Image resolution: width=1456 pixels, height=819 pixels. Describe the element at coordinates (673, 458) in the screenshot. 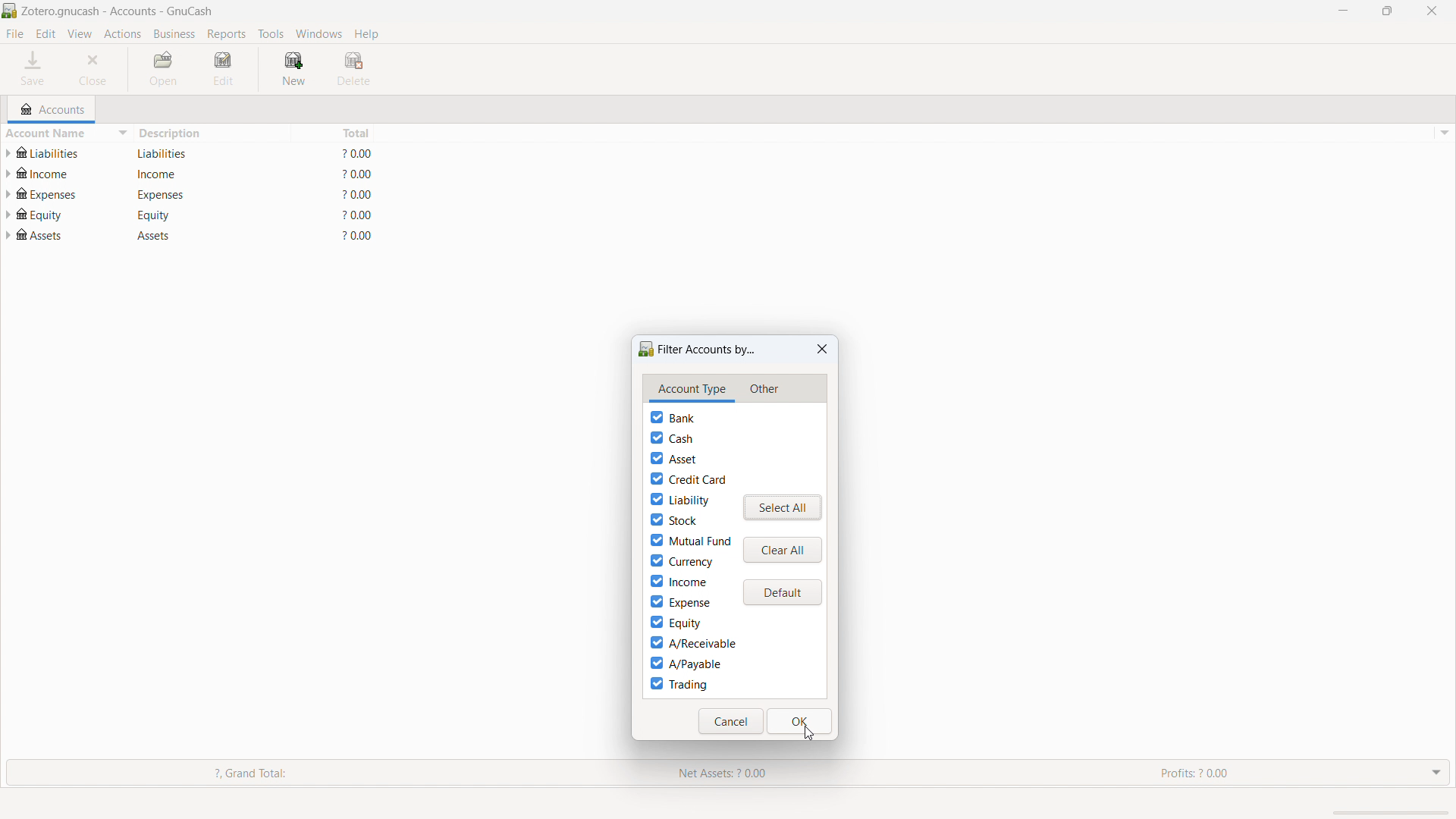

I see `asset` at that location.